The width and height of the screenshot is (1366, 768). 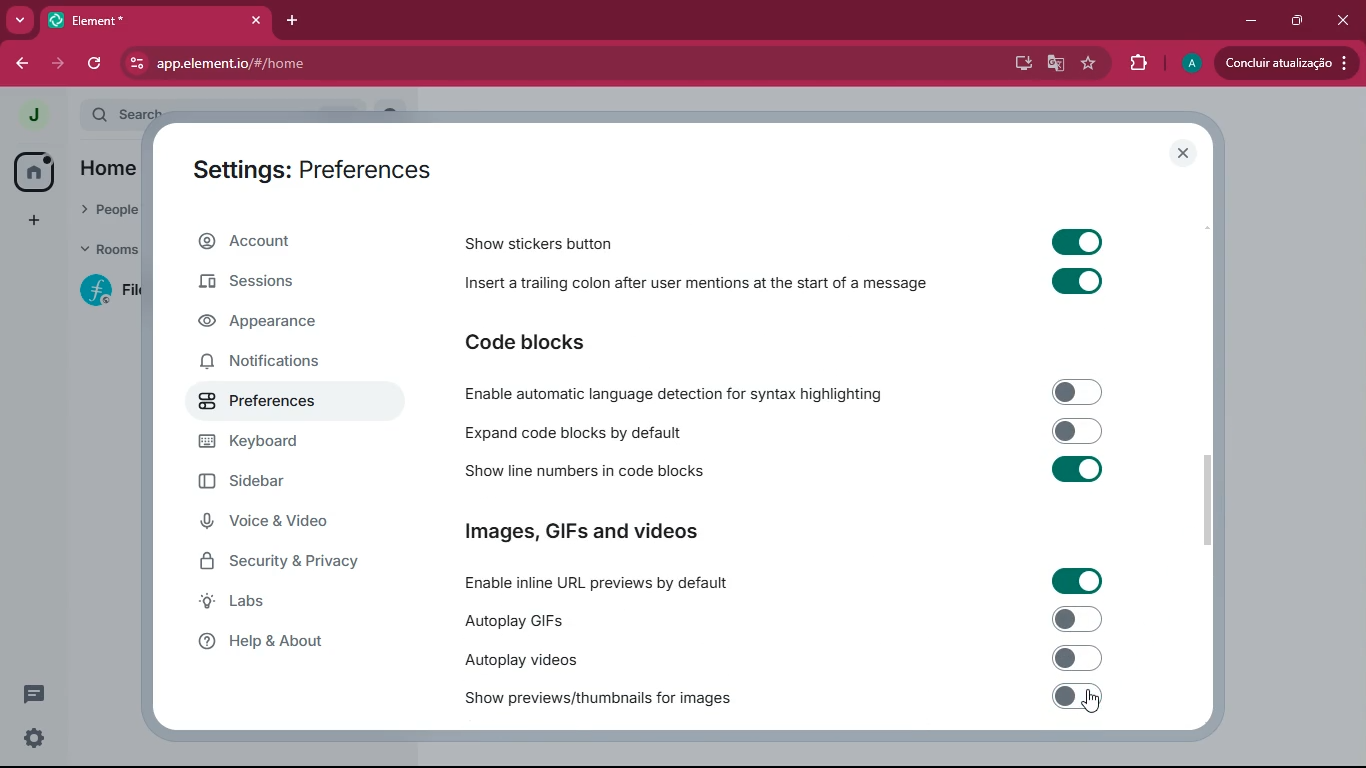 I want to click on add tab, so click(x=294, y=20).